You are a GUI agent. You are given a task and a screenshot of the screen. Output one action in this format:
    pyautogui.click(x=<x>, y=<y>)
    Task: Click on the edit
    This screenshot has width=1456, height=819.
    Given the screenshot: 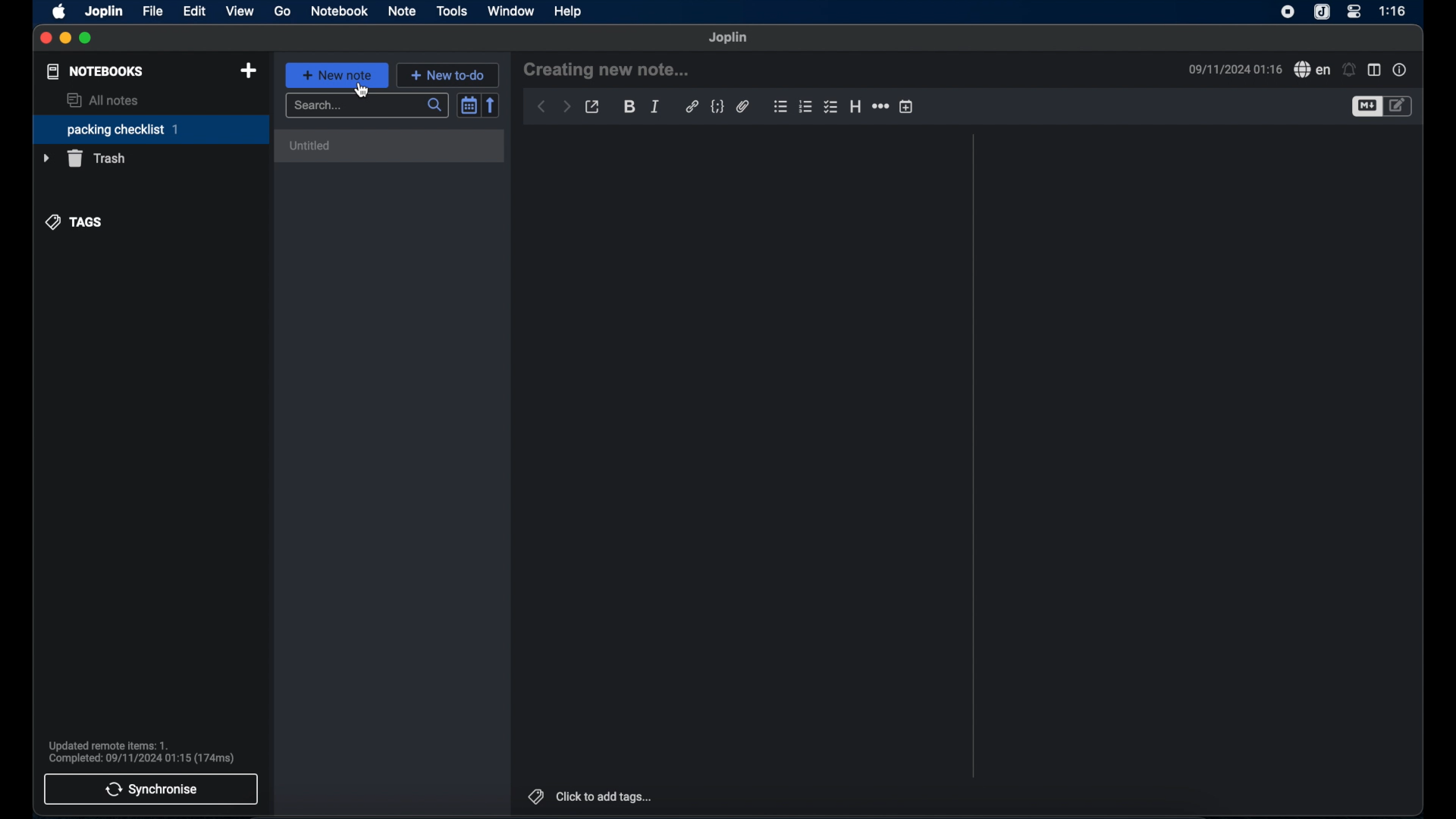 What is the action you would take?
    pyautogui.click(x=195, y=11)
    